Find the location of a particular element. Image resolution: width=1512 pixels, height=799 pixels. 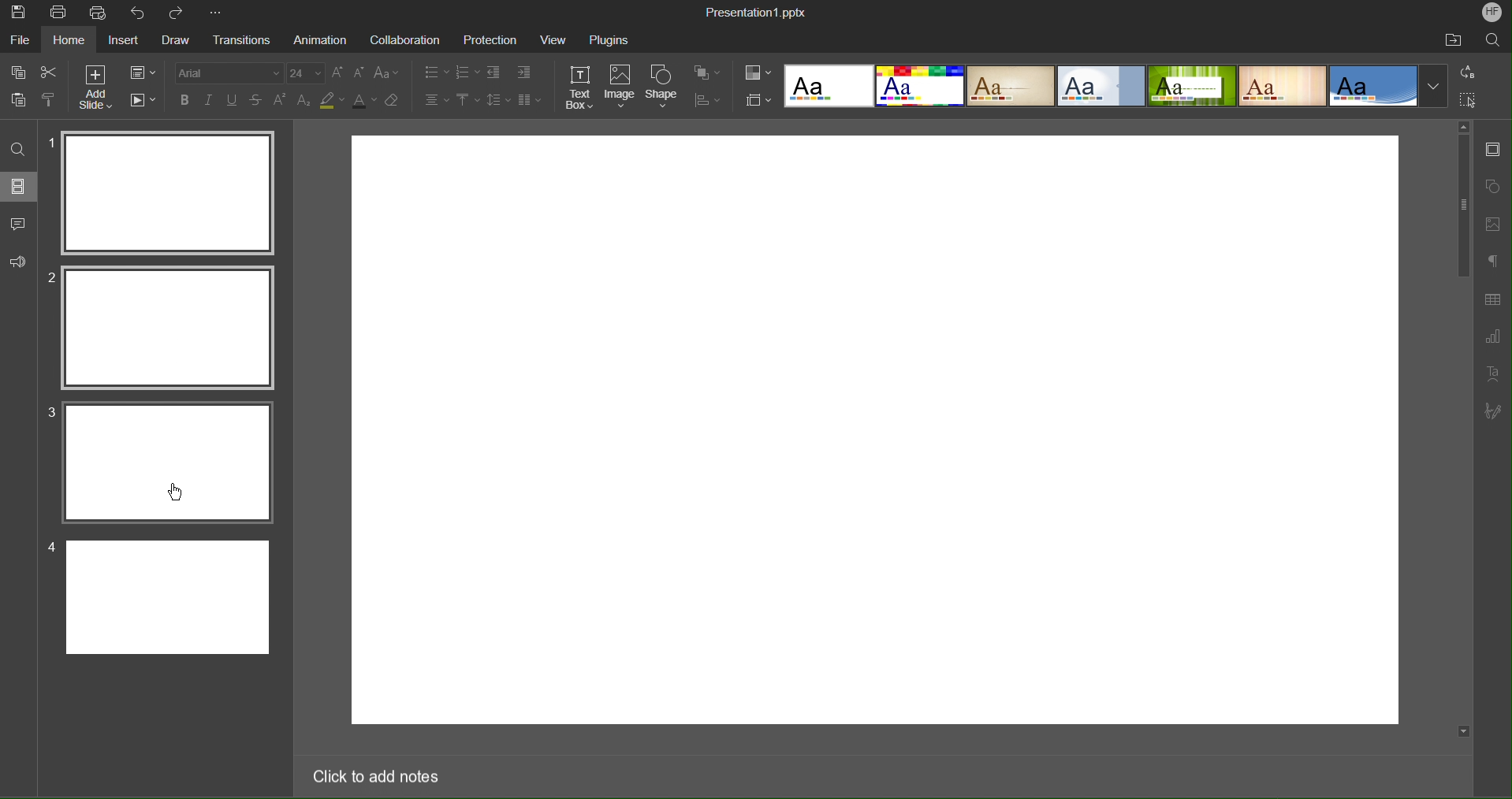

Table Settings is located at coordinates (1492, 299).